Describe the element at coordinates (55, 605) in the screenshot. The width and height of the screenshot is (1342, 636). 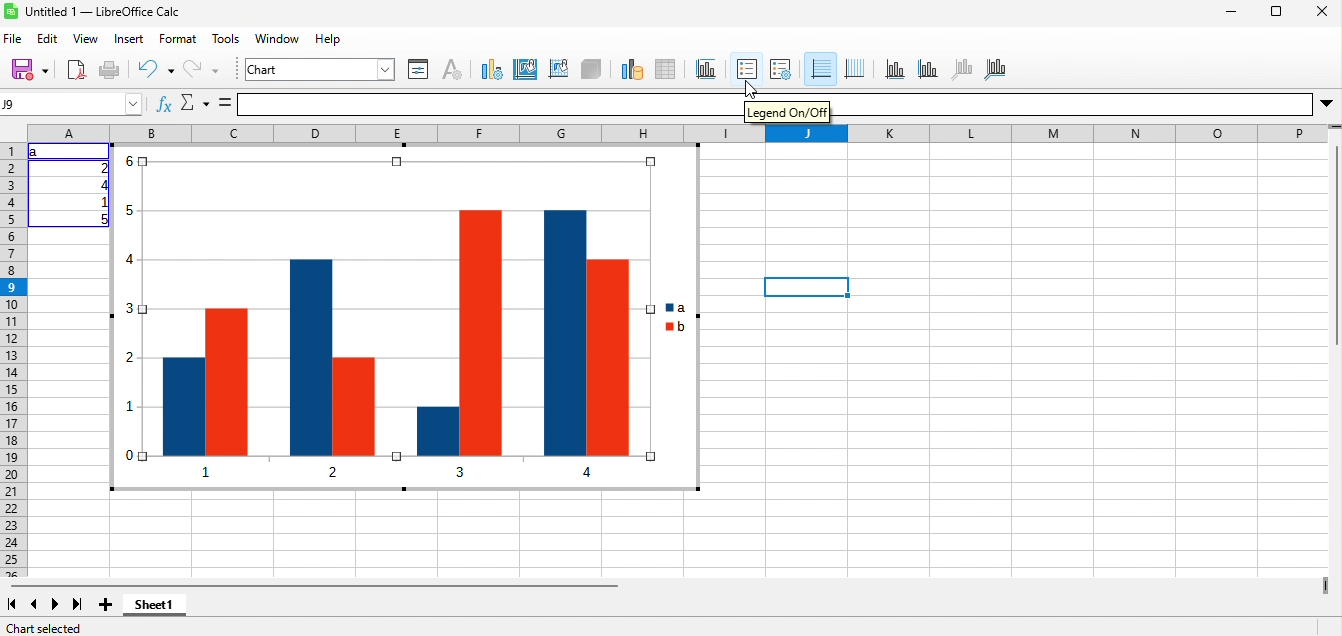
I see `next sheet` at that location.